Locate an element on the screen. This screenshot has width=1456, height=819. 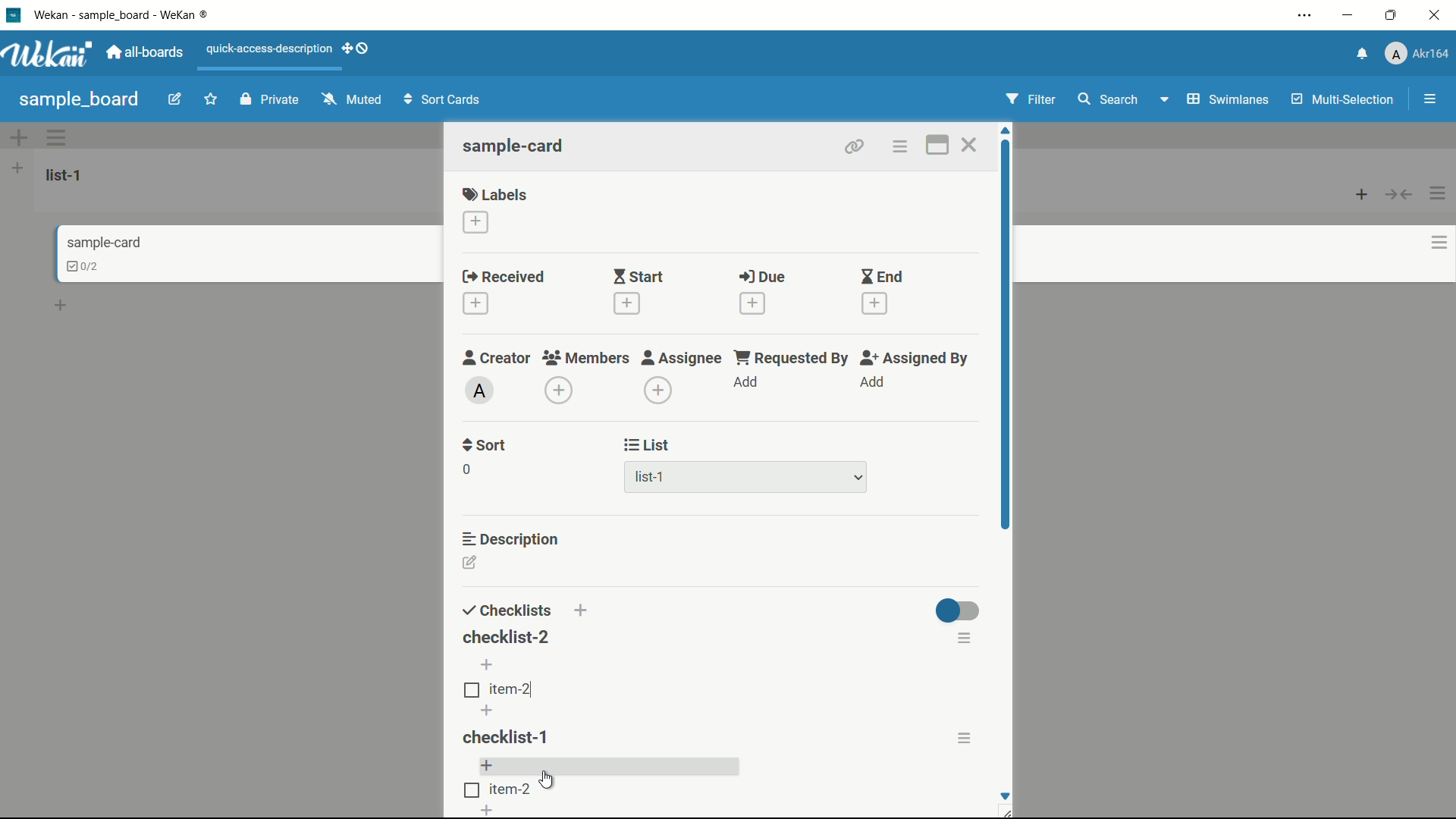
checklist actions is located at coordinates (966, 635).